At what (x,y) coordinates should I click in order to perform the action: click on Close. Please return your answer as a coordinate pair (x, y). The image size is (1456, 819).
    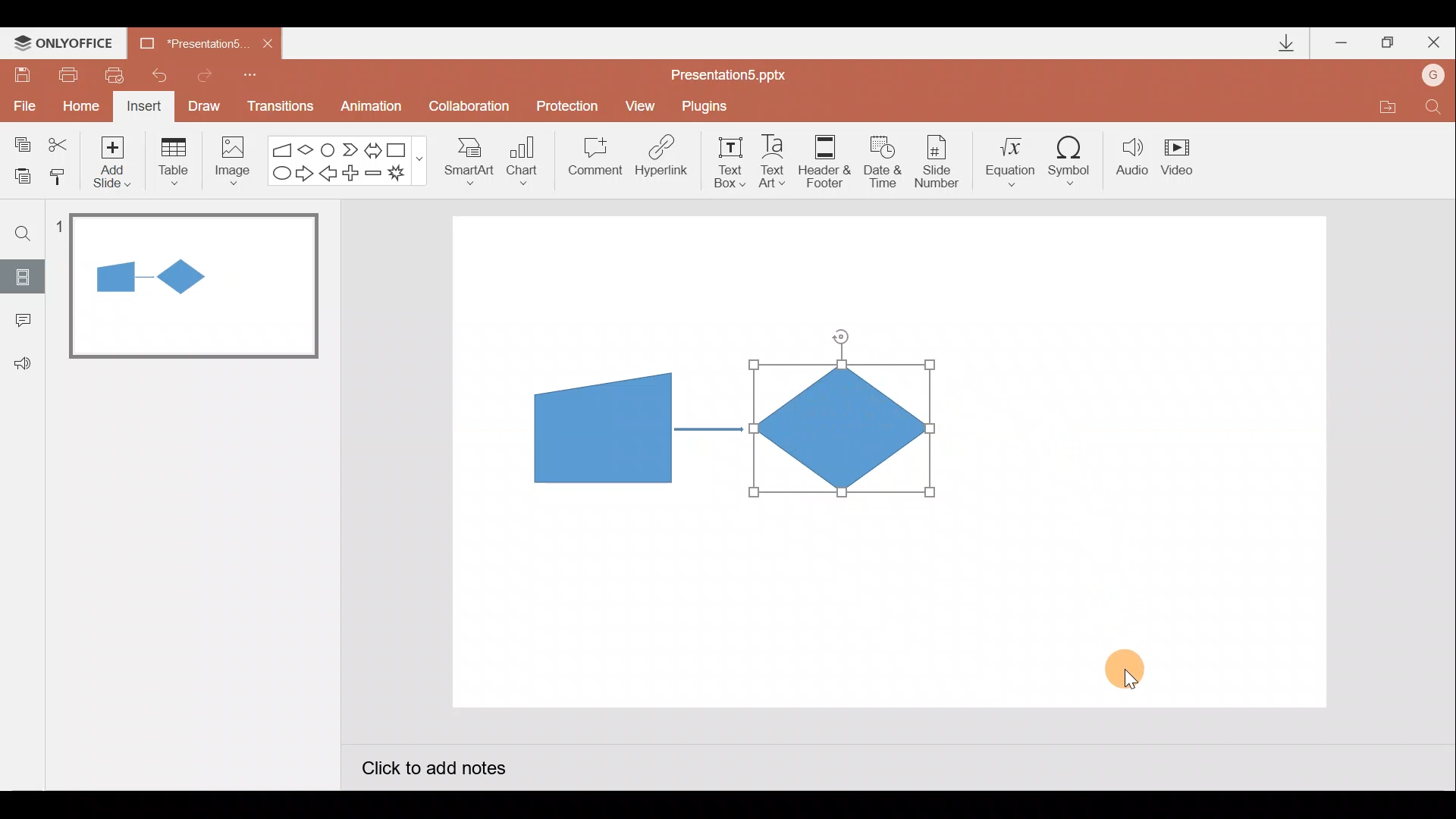
    Looking at the image, I should click on (1434, 45).